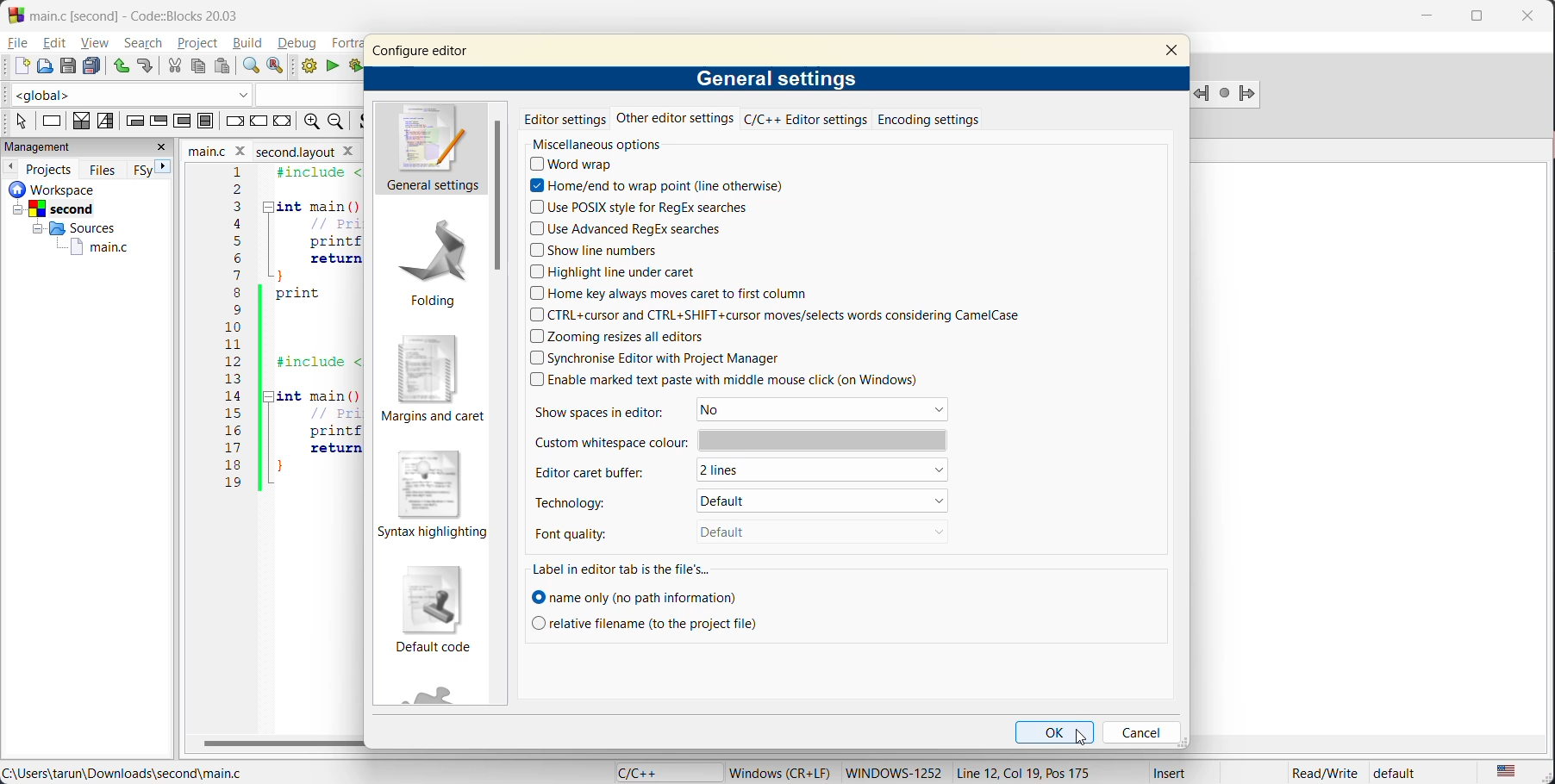 This screenshot has height=784, width=1555. What do you see at coordinates (118, 65) in the screenshot?
I see `undo` at bounding box center [118, 65].